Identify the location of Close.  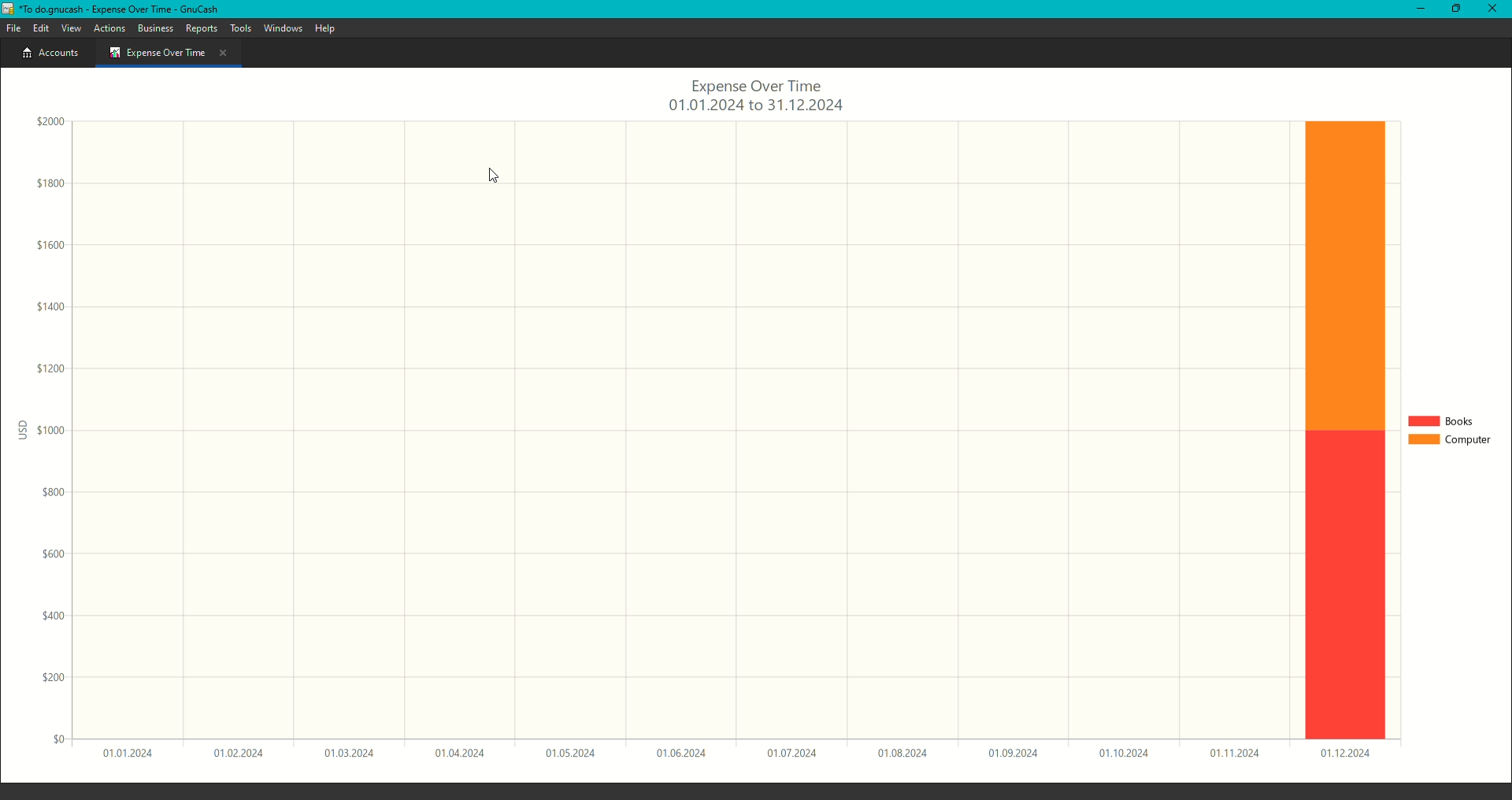
(1492, 10).